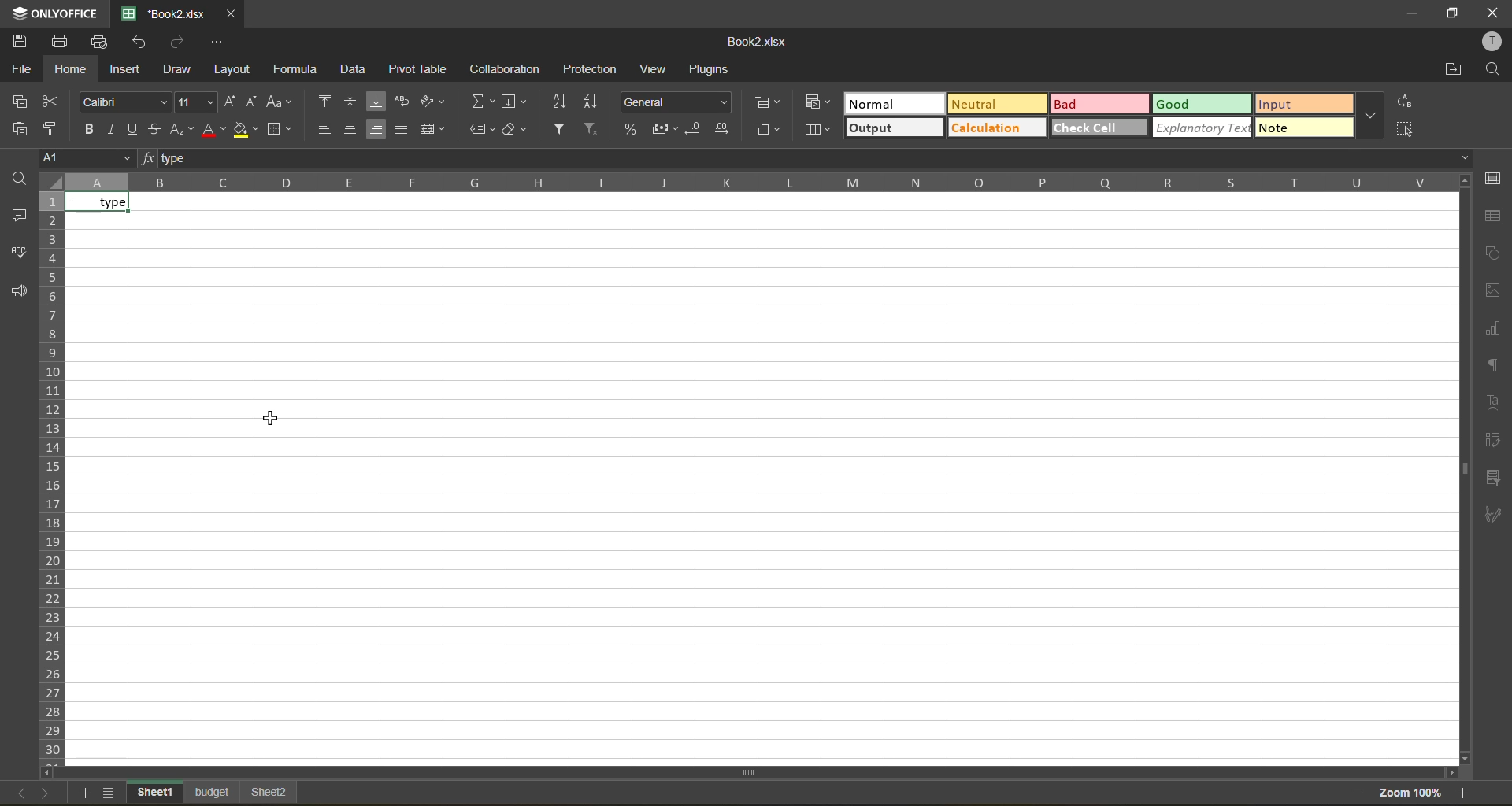 This screenshot has width=1512, height=806. I want to click on text aligned right, so click(103, 202).